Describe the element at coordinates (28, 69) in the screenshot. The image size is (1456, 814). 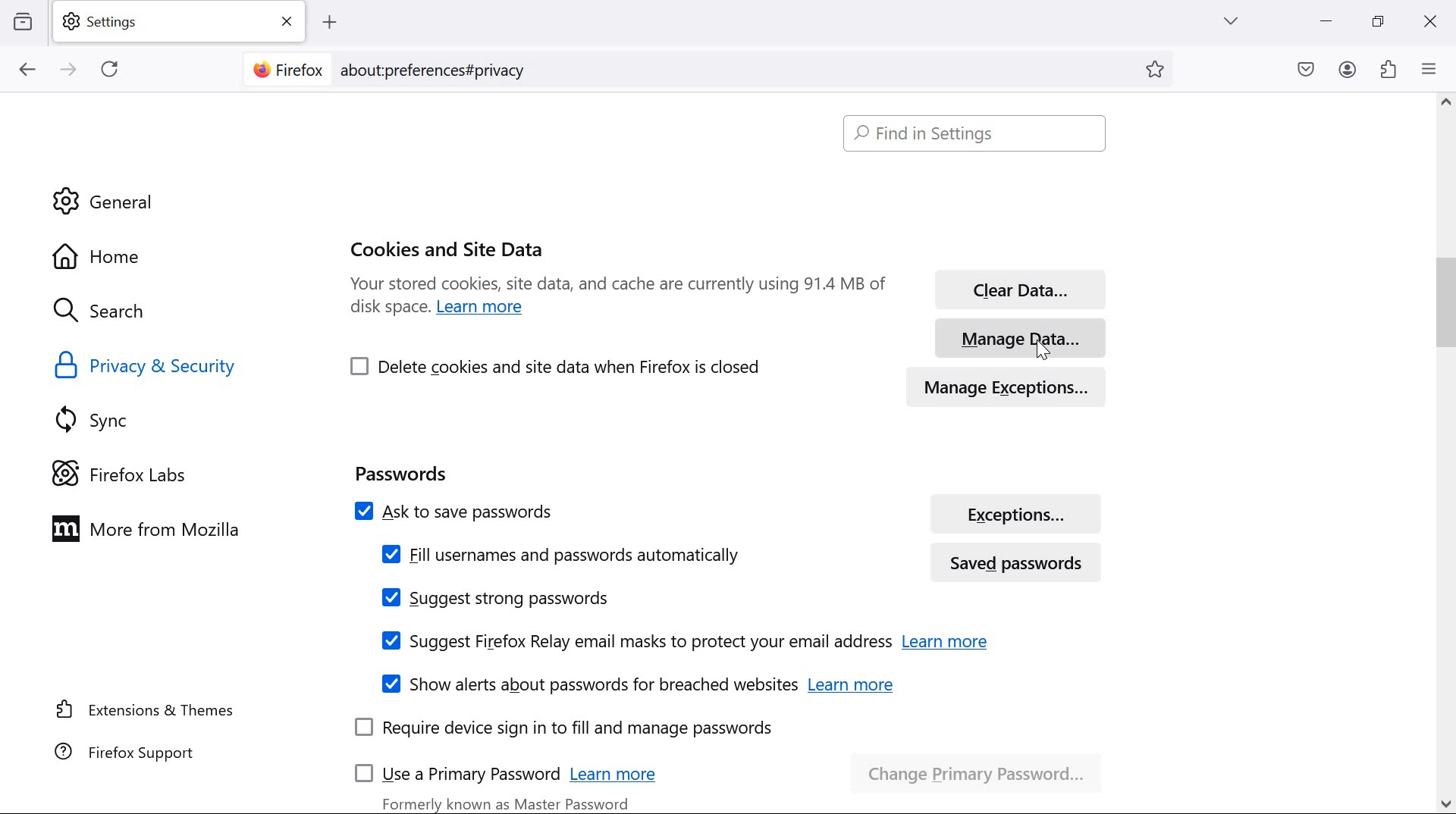
I see `go back one page` at that location.